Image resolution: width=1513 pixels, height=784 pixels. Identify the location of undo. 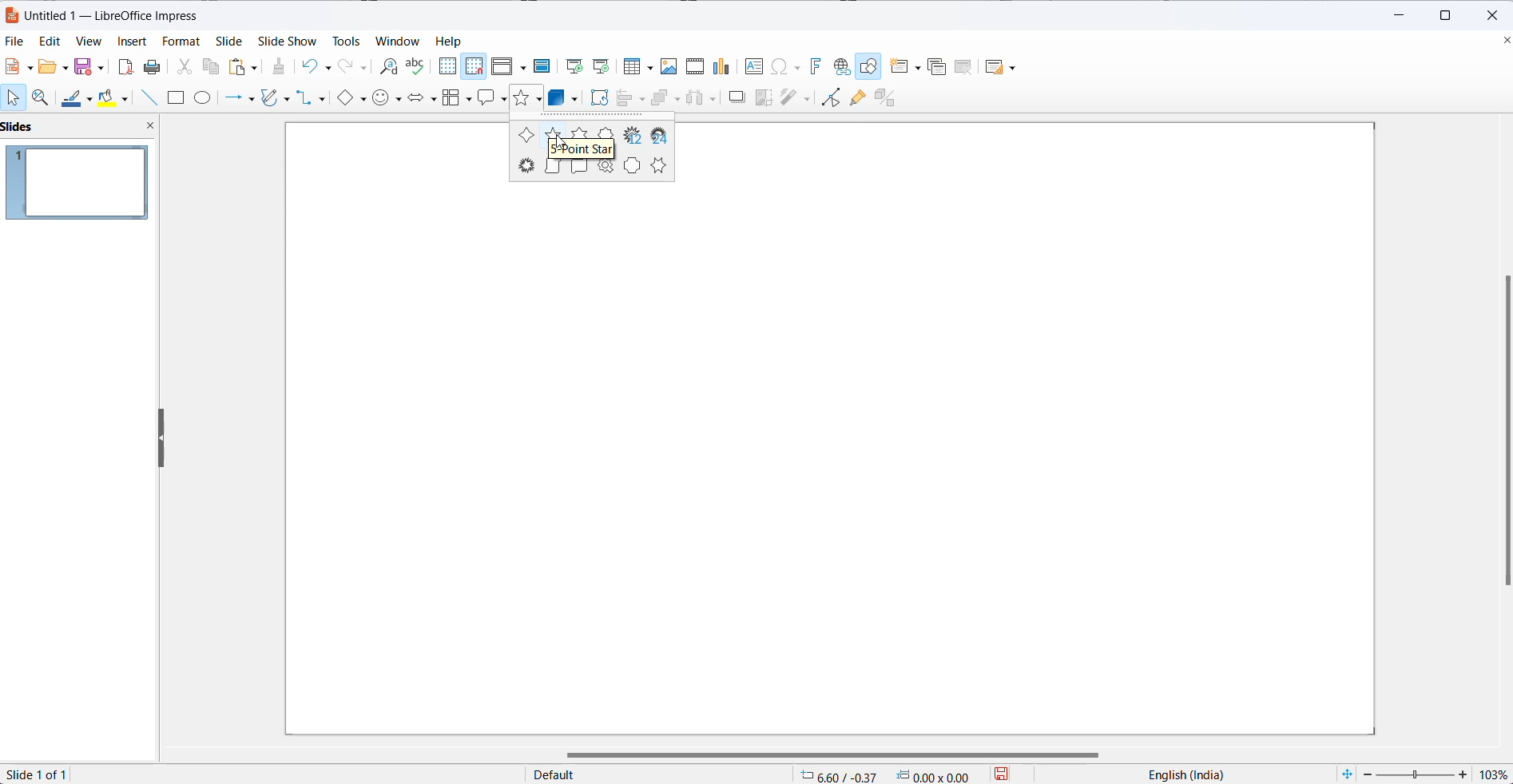
(321, 65).